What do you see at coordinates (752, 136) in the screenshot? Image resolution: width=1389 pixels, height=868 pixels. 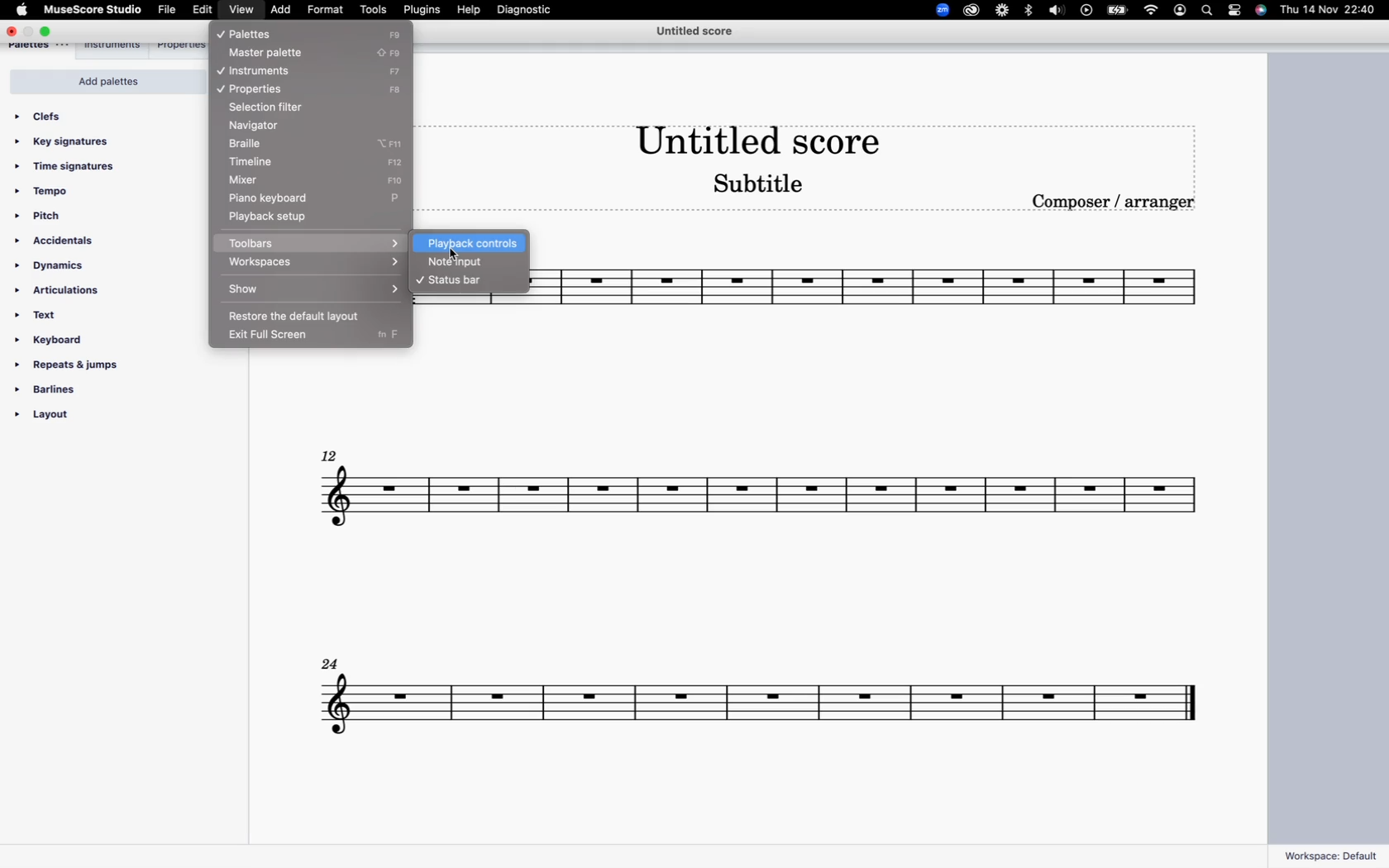 I see `score title` at bounding box center [752, 136].